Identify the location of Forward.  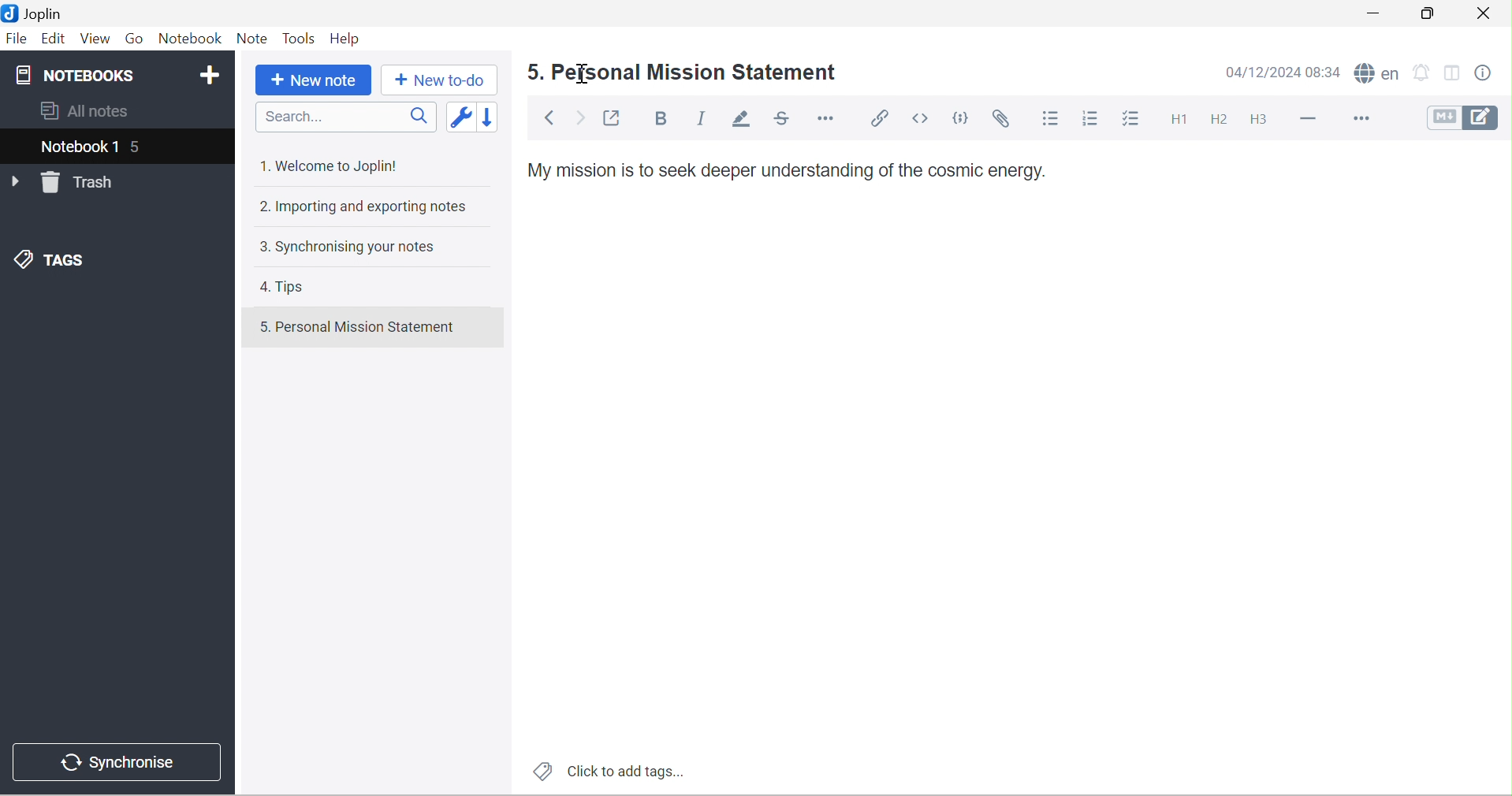
(582, 117).